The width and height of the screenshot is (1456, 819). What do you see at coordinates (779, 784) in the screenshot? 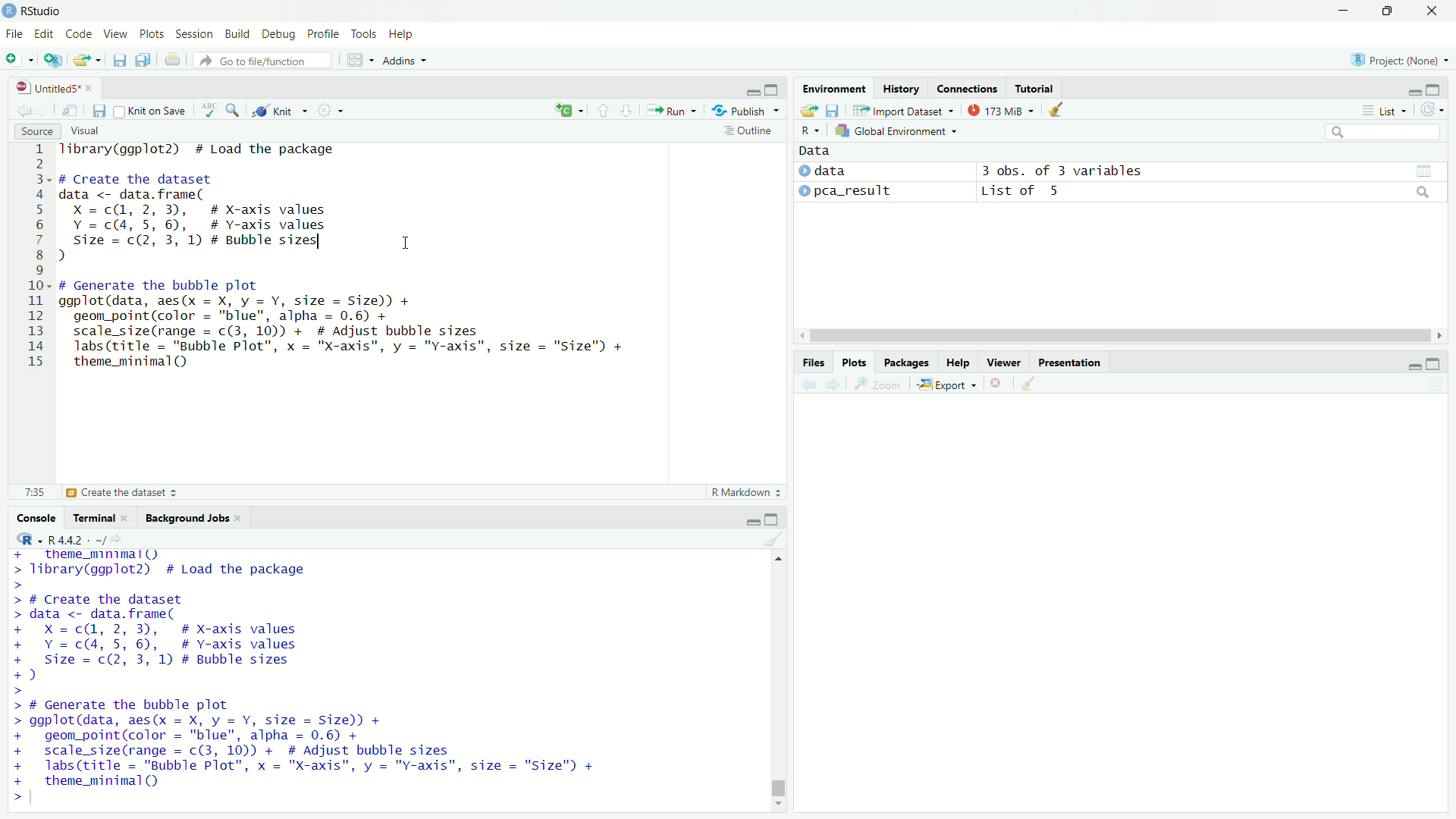
I see `vertical scrollbar` at bounding box center [779, 784].